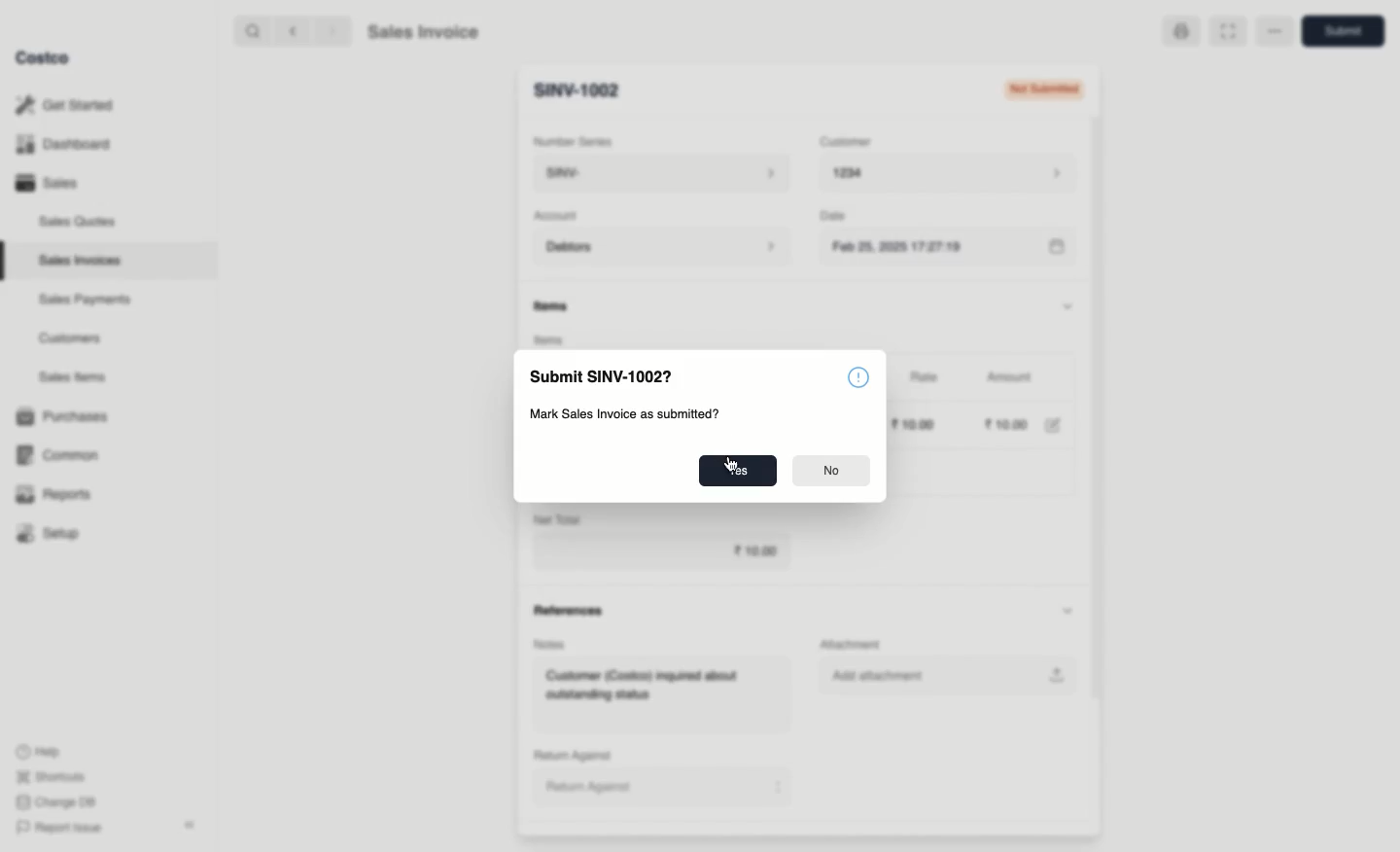 The image size is (1400, 852). What do you see at coordinates (728, 461) in the screenshot?
I see `cursor` at bounding box center [728, 461].